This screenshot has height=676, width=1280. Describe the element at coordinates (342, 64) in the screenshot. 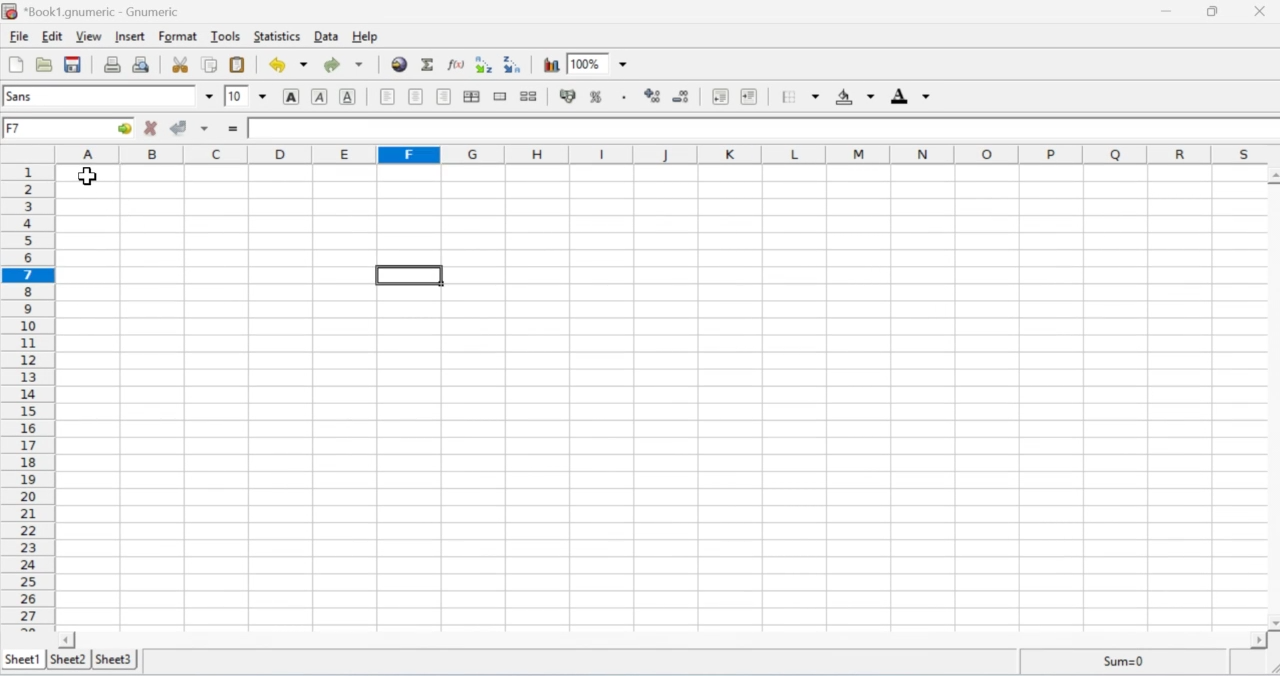

I see `Redo` at that location.